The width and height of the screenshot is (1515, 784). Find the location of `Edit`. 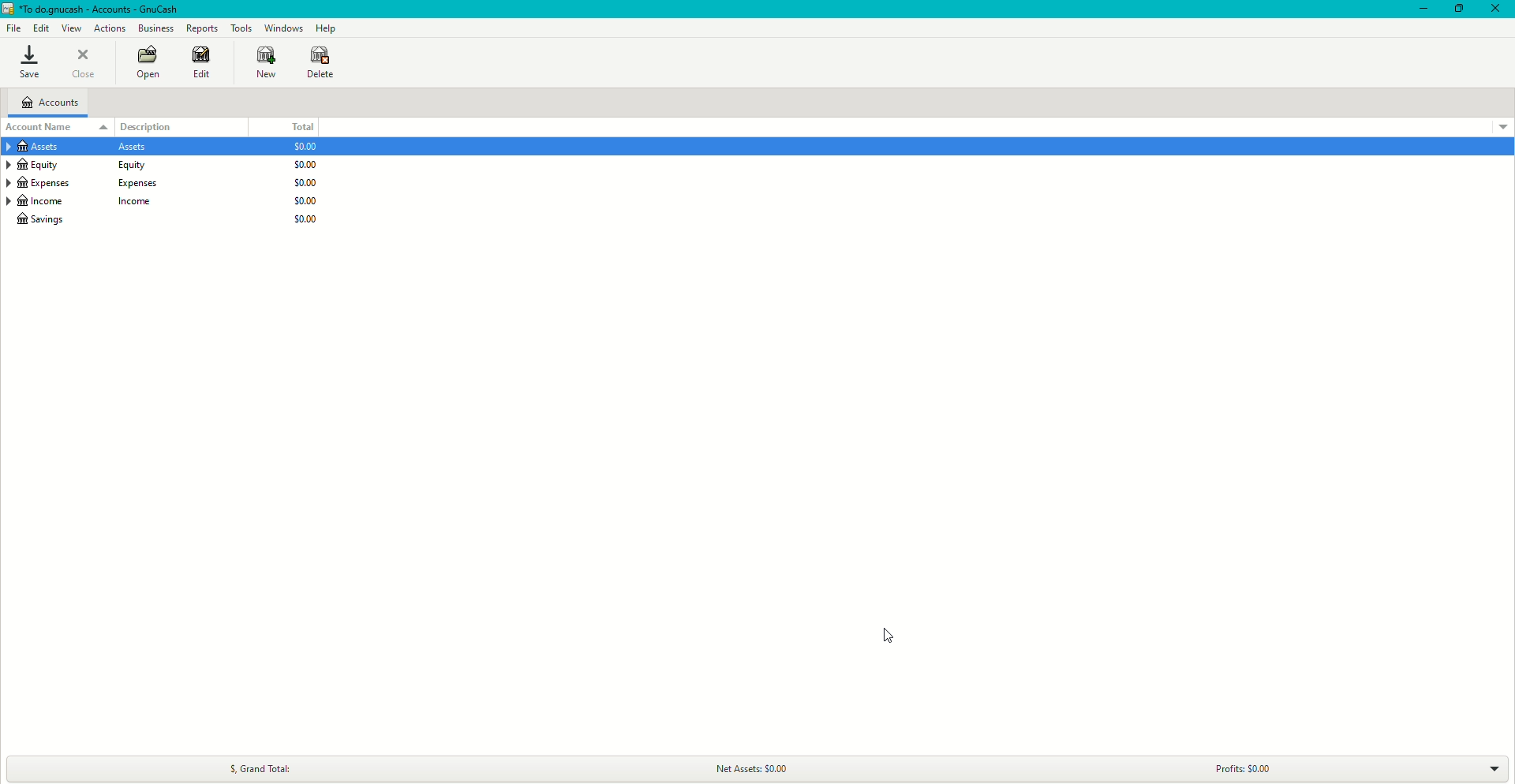

Edit is located at coordinates (41, 28).